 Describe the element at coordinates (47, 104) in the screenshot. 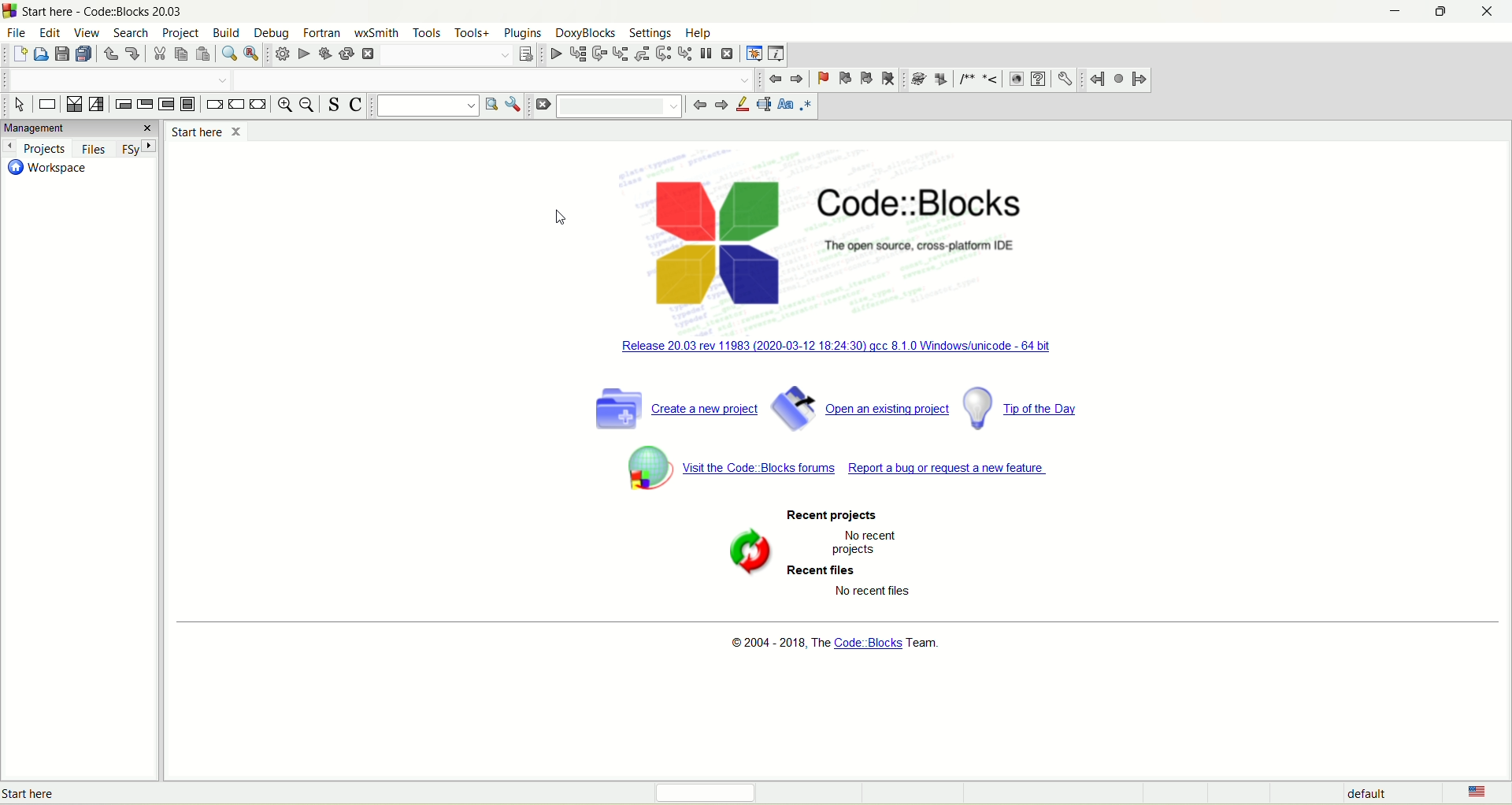

I see `instruction` at that location.